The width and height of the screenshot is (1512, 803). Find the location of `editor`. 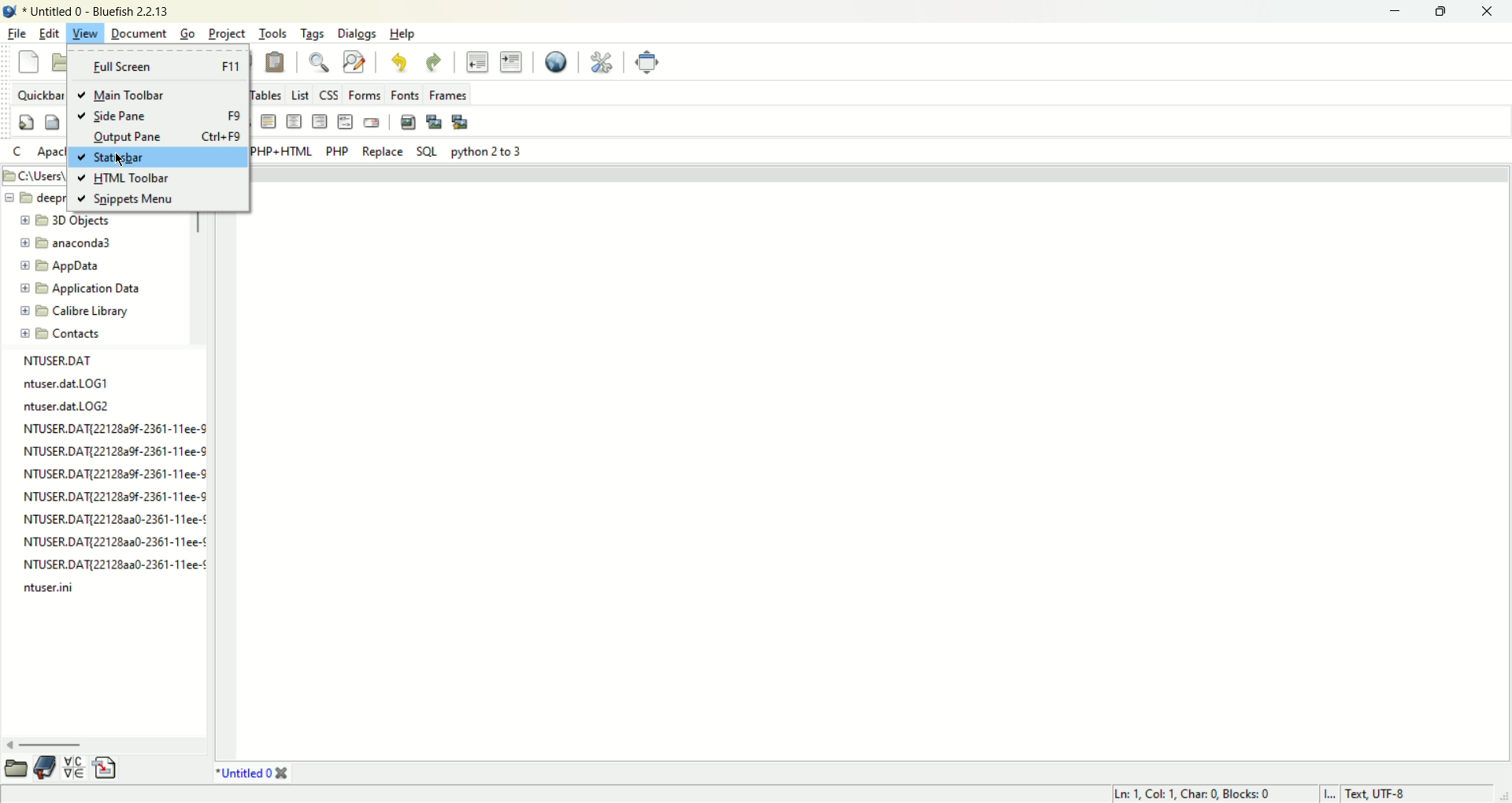

editor is located at coordinates (876, 464).